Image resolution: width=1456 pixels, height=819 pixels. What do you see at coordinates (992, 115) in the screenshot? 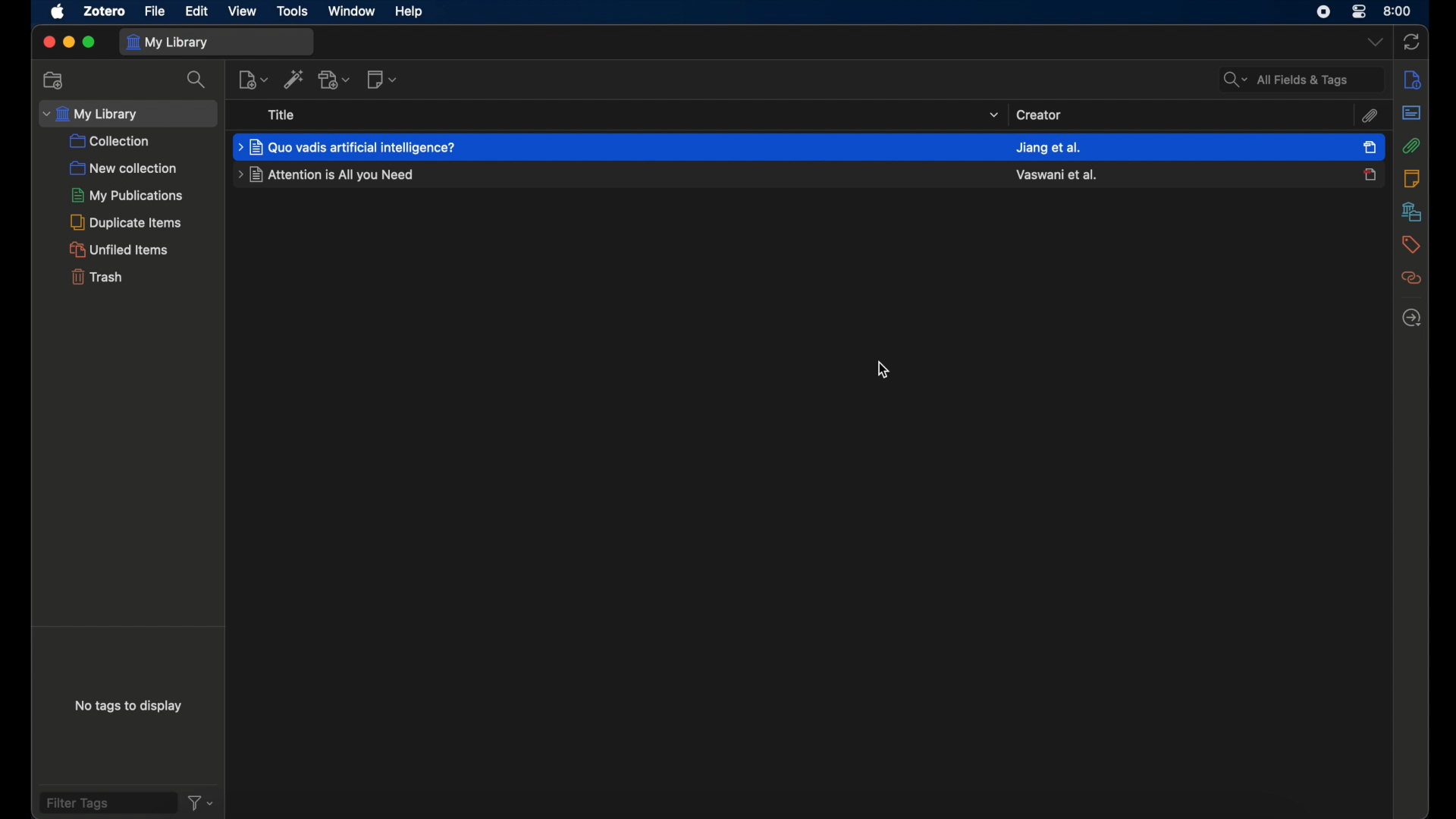
I see `title dropdown menu` at bounding box center [992, 115].